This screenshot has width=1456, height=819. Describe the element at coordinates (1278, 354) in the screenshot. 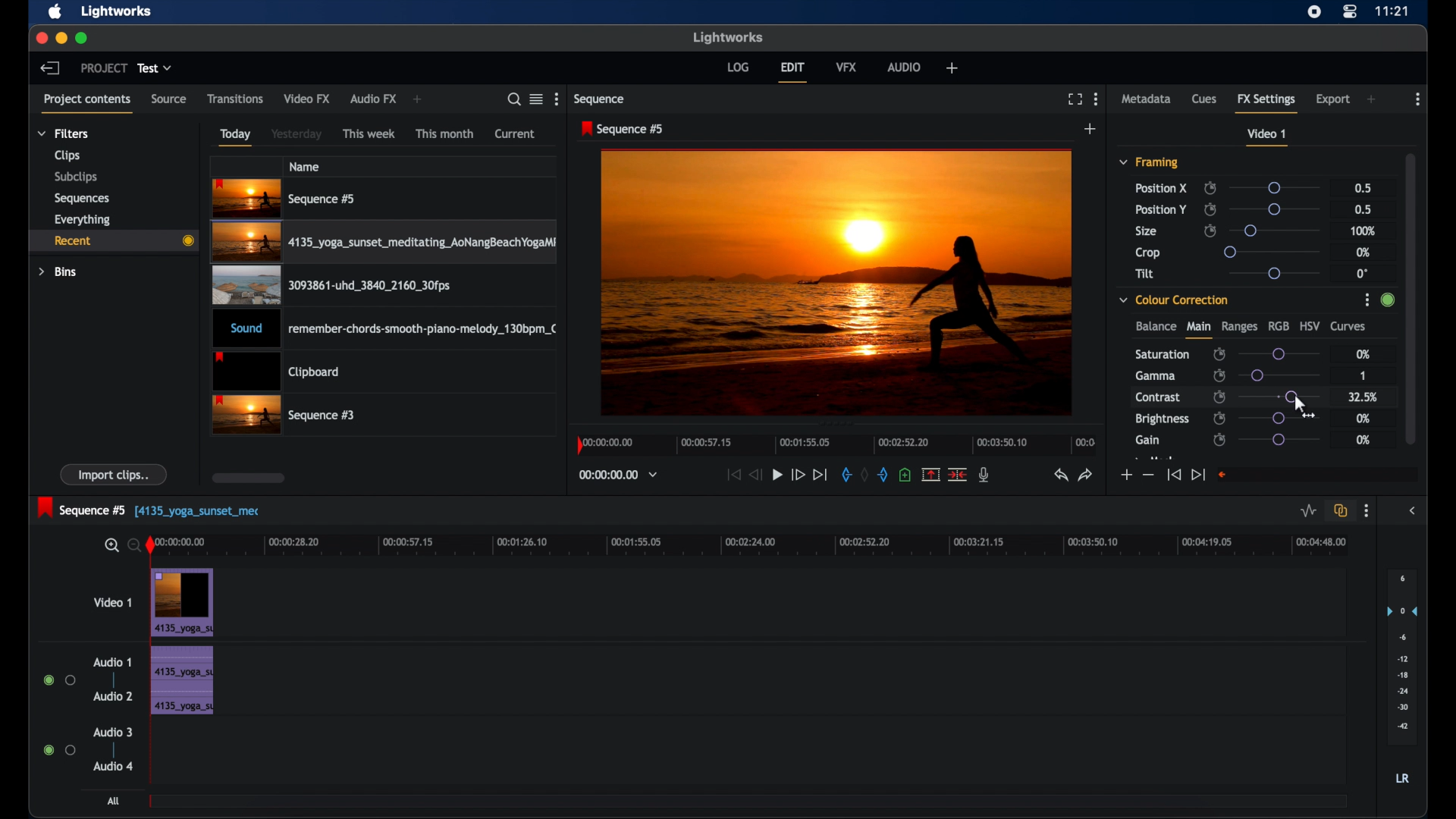

I see `slider` at that location.